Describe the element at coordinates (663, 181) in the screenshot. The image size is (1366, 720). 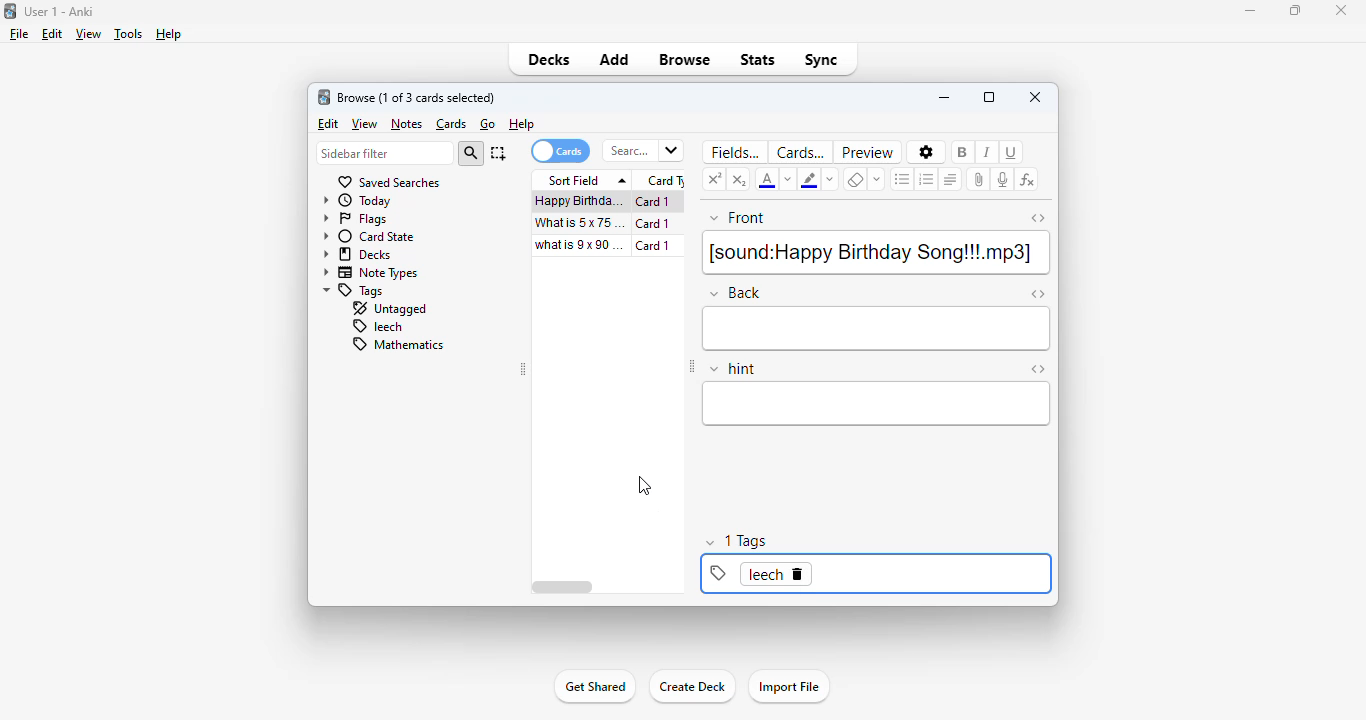
I see `card type` at that location.